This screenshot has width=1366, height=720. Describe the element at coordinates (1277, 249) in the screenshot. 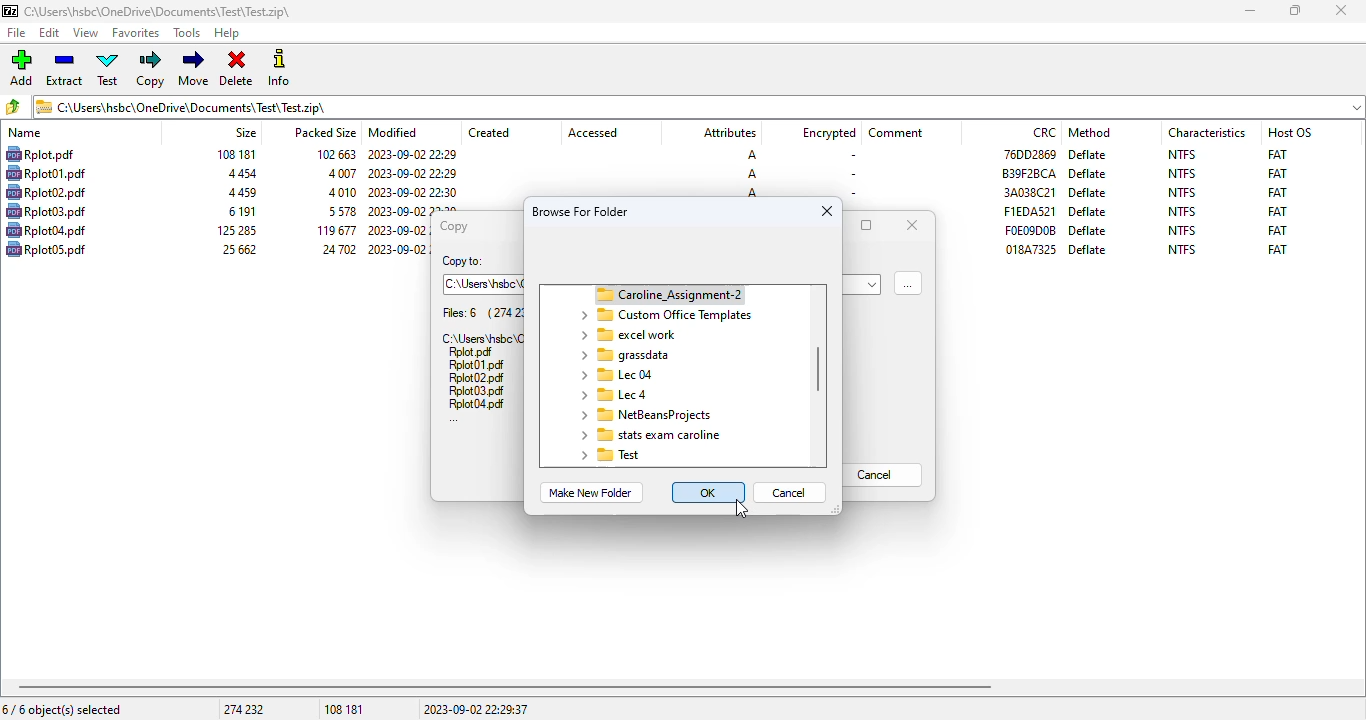

I see `FAT` at that location.